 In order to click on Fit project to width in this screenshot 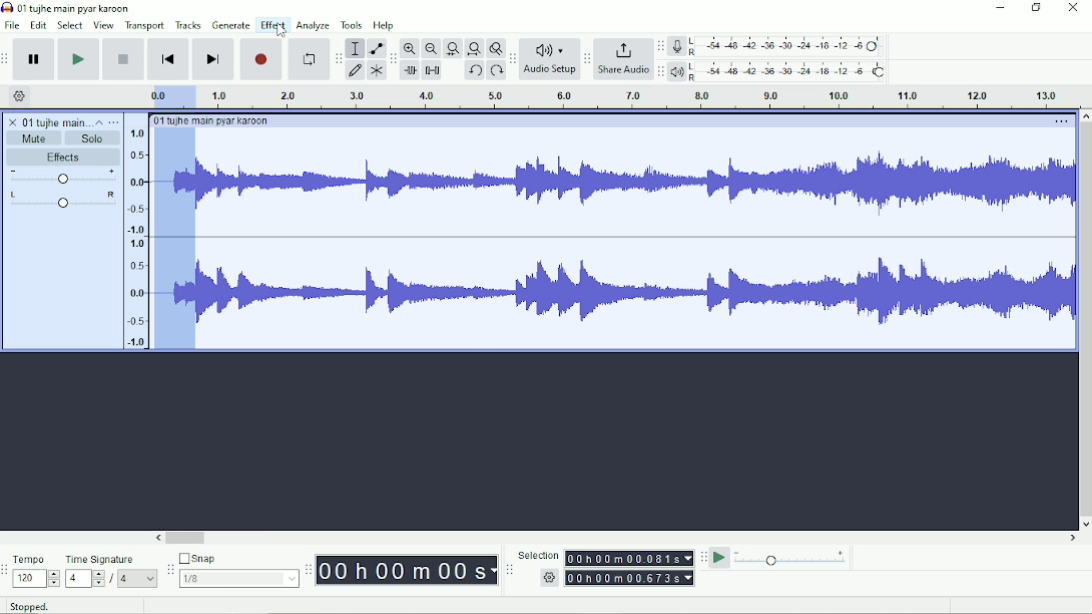, I will do `click(475, 49)`.